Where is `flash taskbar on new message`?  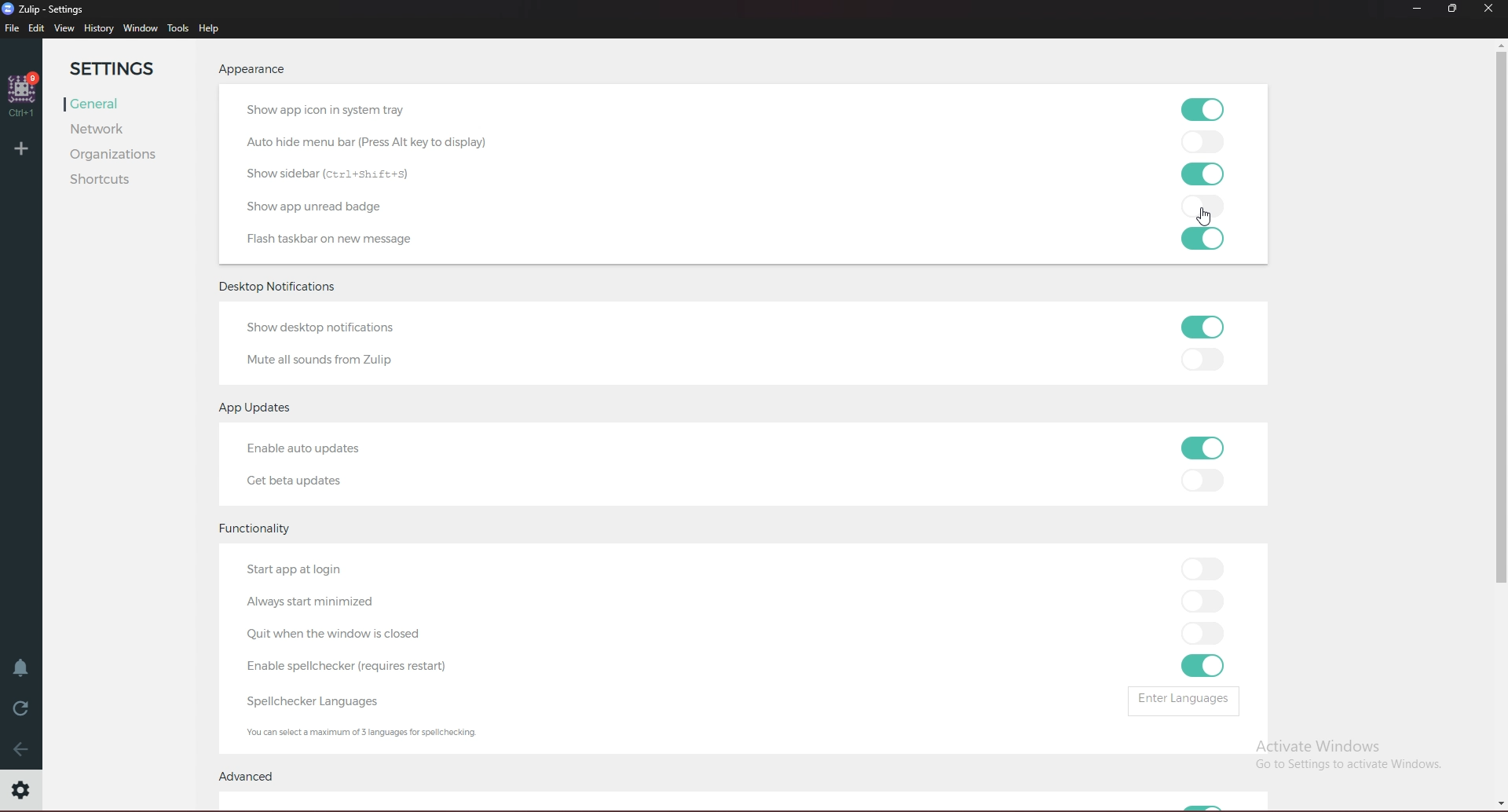 flash taskbar on new message is located at coordinates (379, 240).